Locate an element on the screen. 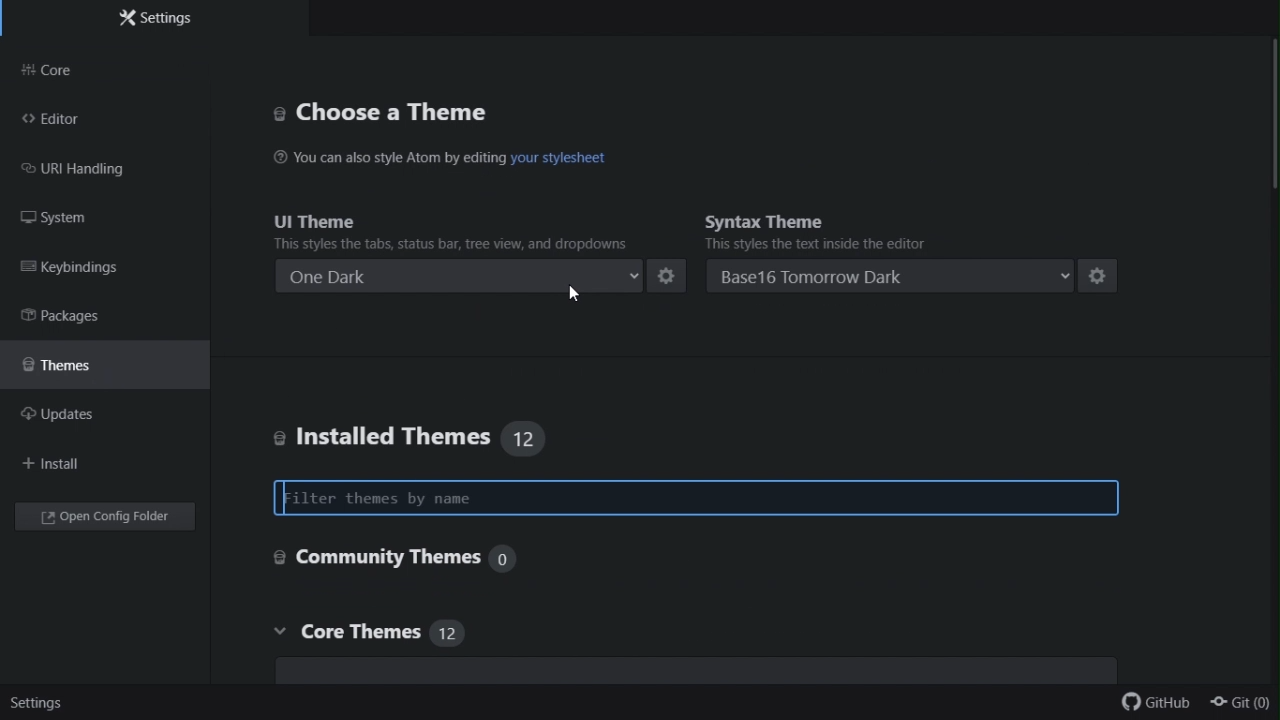 The image size is (1280, 720). Install is located at coordinates (56, 464).